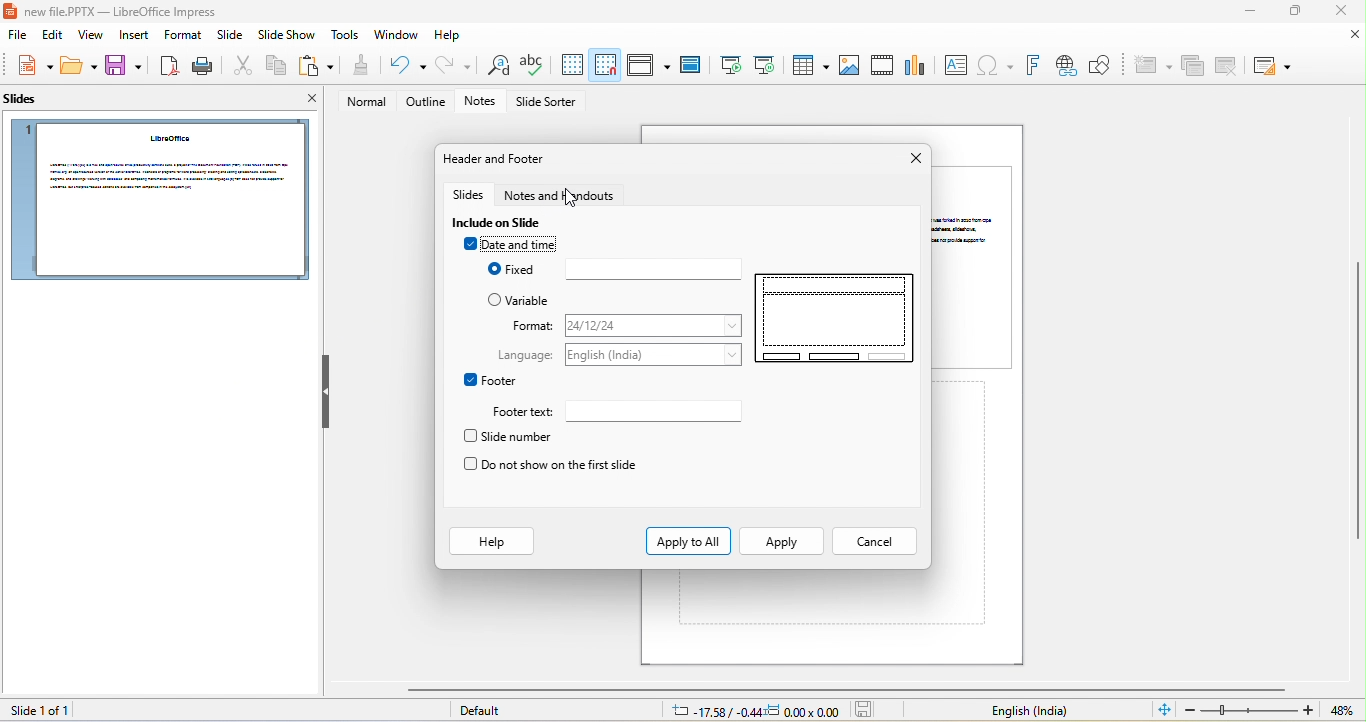  I want to click on default, so click(487, 712).